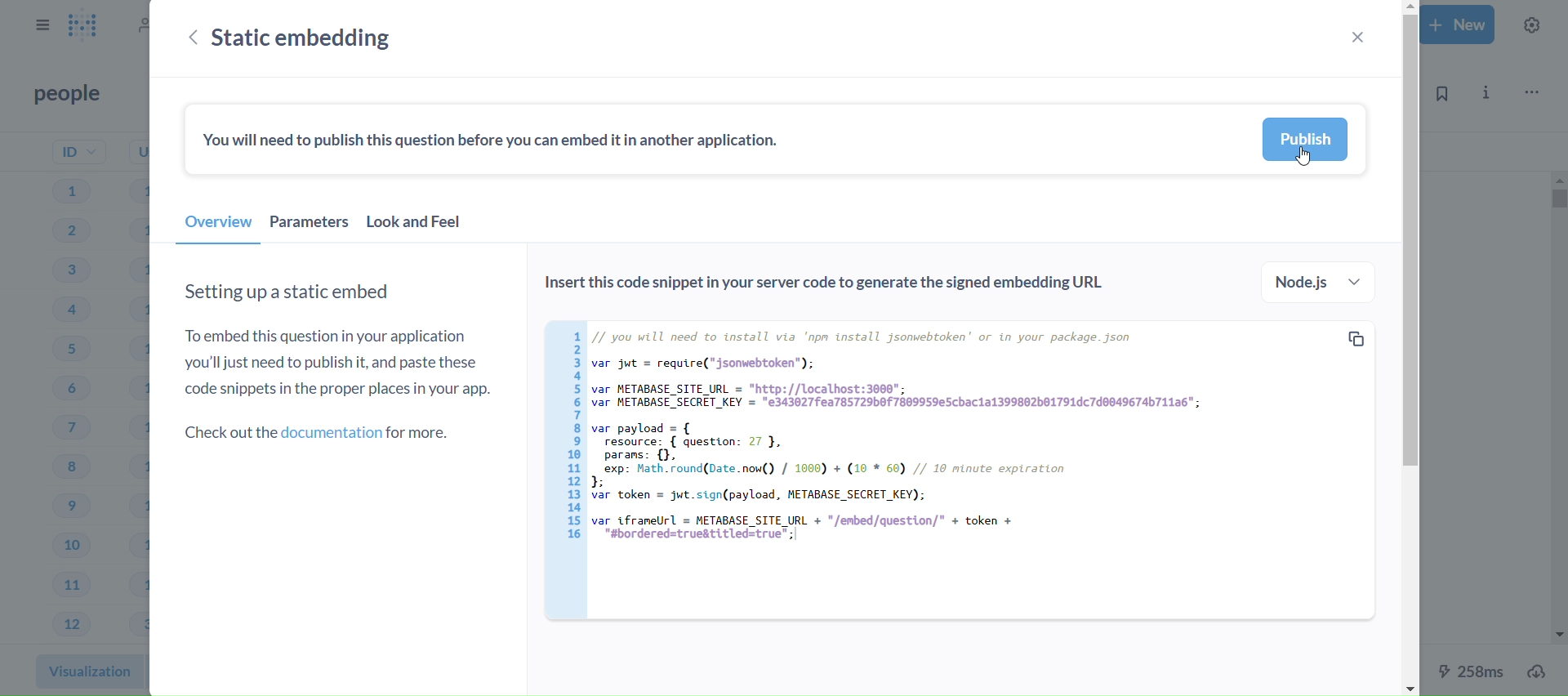 The height and width of the screenshot is (696, 1568). Describe the element at coordinates (826, 285) in the screenshot. I see `insert this code snippet in your server code to generate the signed embedding url.` at that location.